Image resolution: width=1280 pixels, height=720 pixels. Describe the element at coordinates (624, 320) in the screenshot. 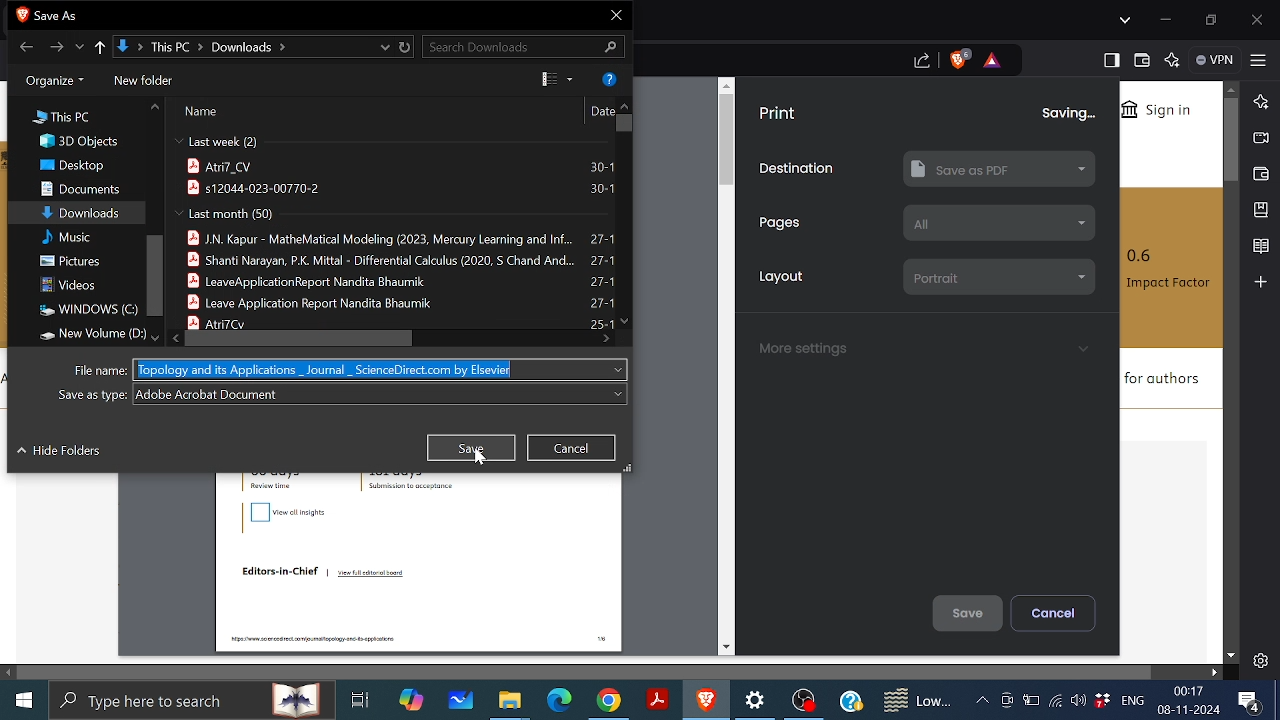

I see `Move down` at that location.